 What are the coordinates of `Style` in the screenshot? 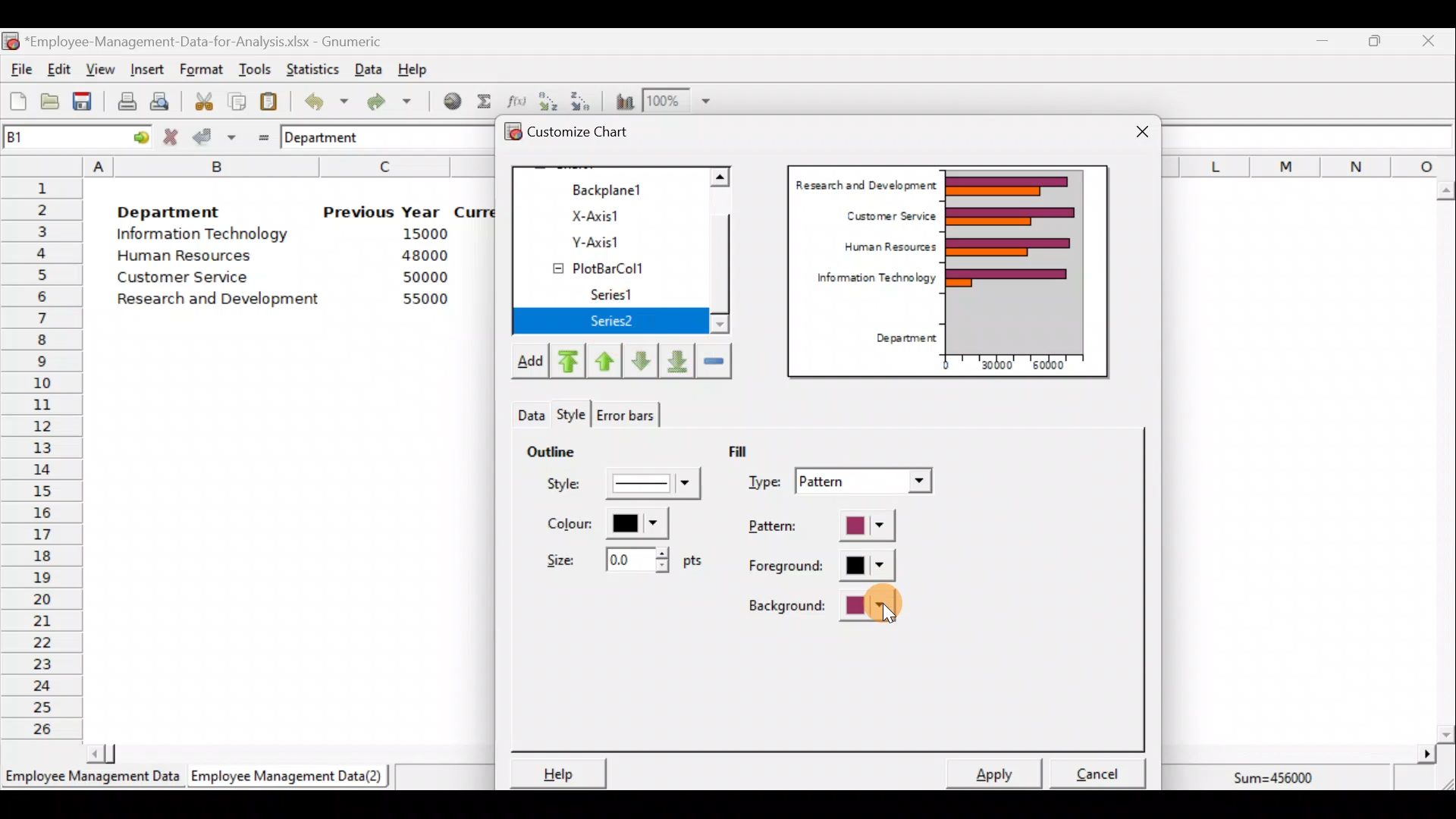 It's located at (529, 411).